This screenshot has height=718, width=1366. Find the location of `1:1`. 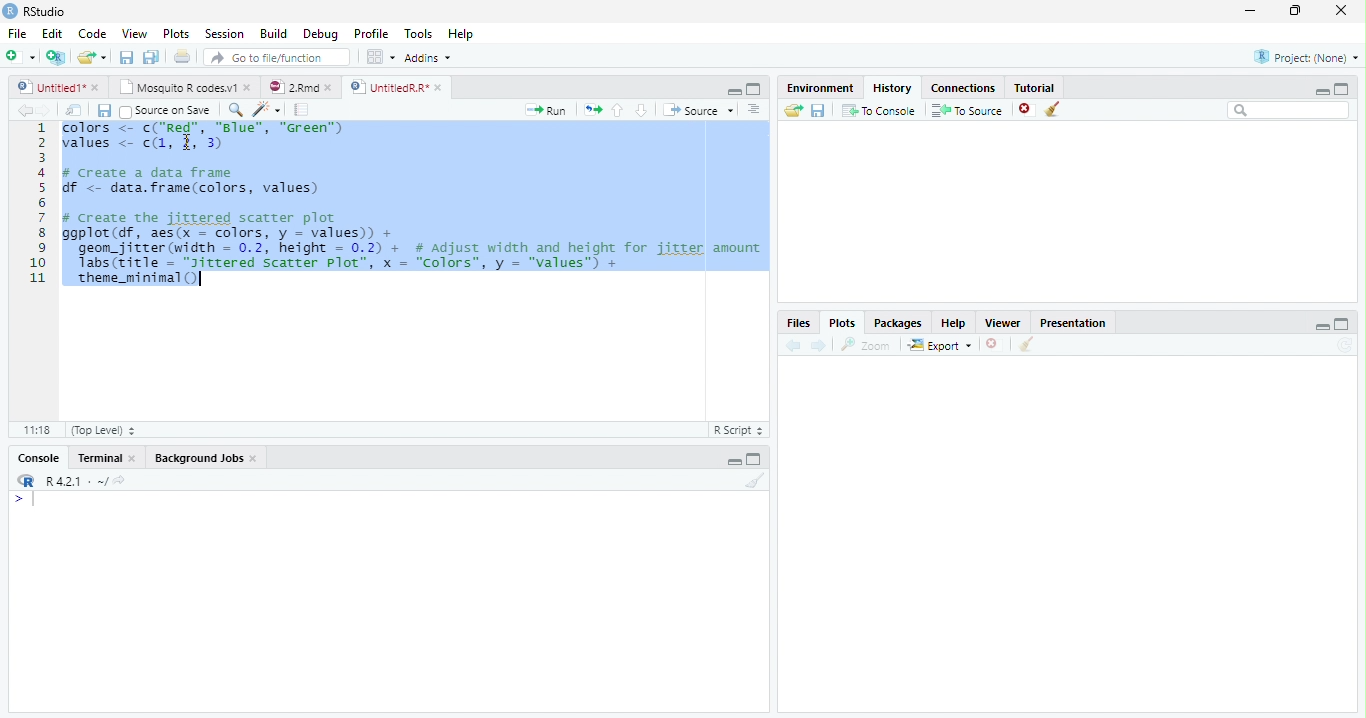

1:1 is located at coordinates (36, 430).